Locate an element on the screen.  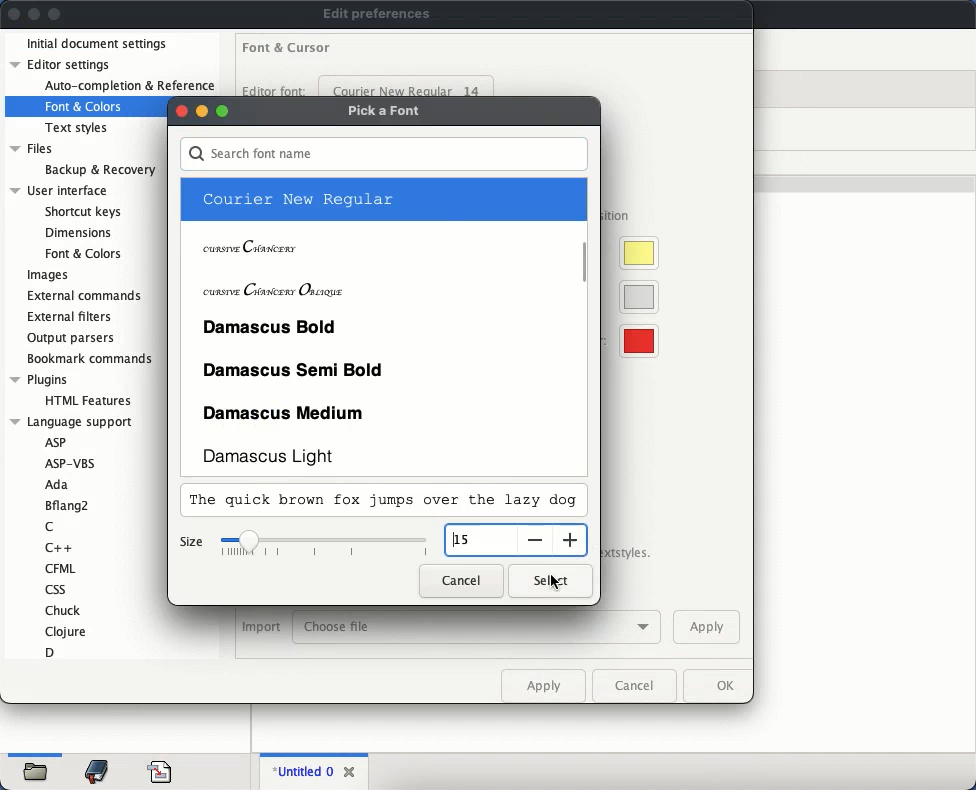
bookmark is located at coordinates (98, 772).